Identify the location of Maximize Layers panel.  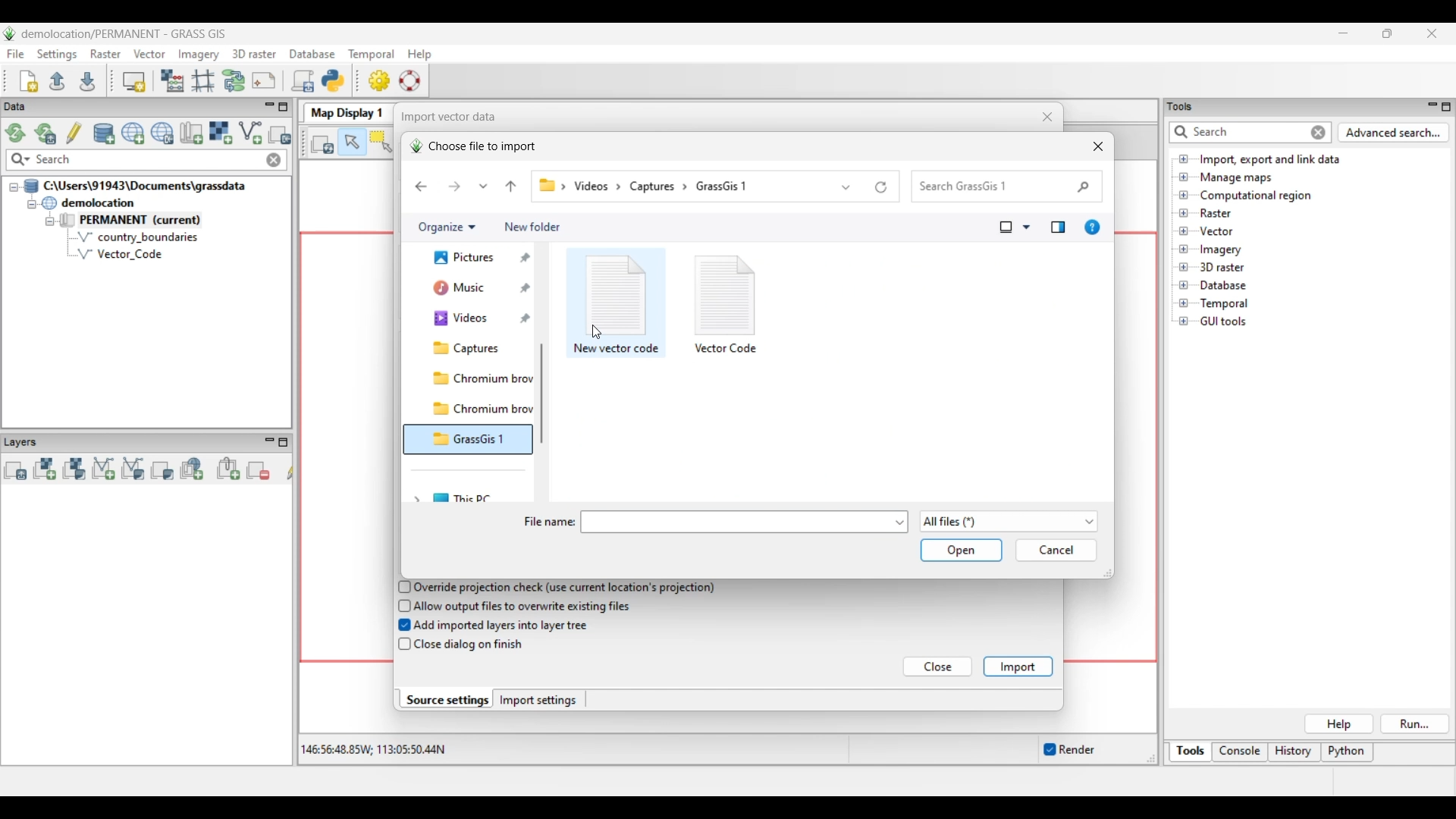
(284, 442).